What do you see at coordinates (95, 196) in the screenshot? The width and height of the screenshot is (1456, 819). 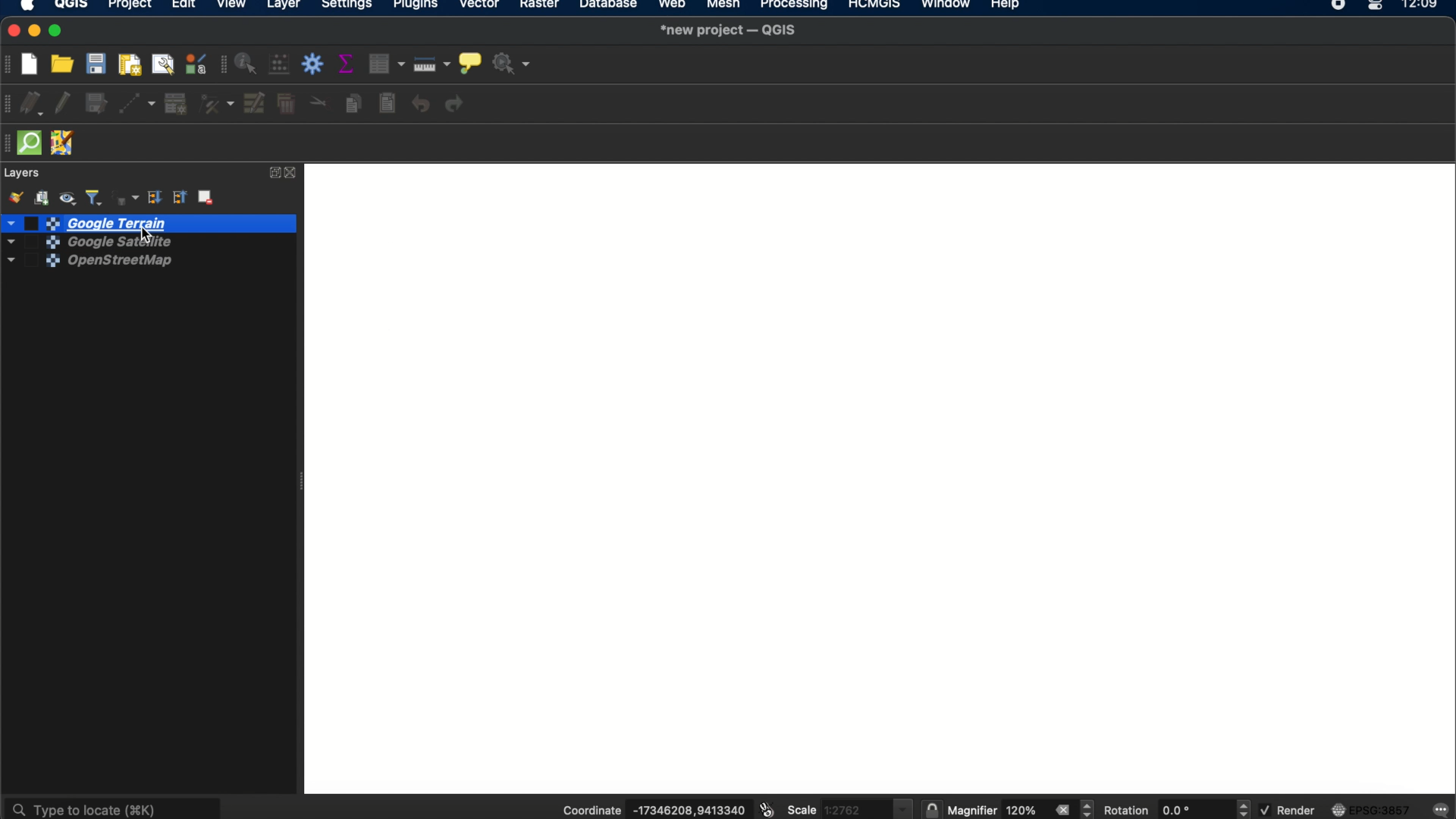 I see `filter legend` at bounding box center [95, 196].